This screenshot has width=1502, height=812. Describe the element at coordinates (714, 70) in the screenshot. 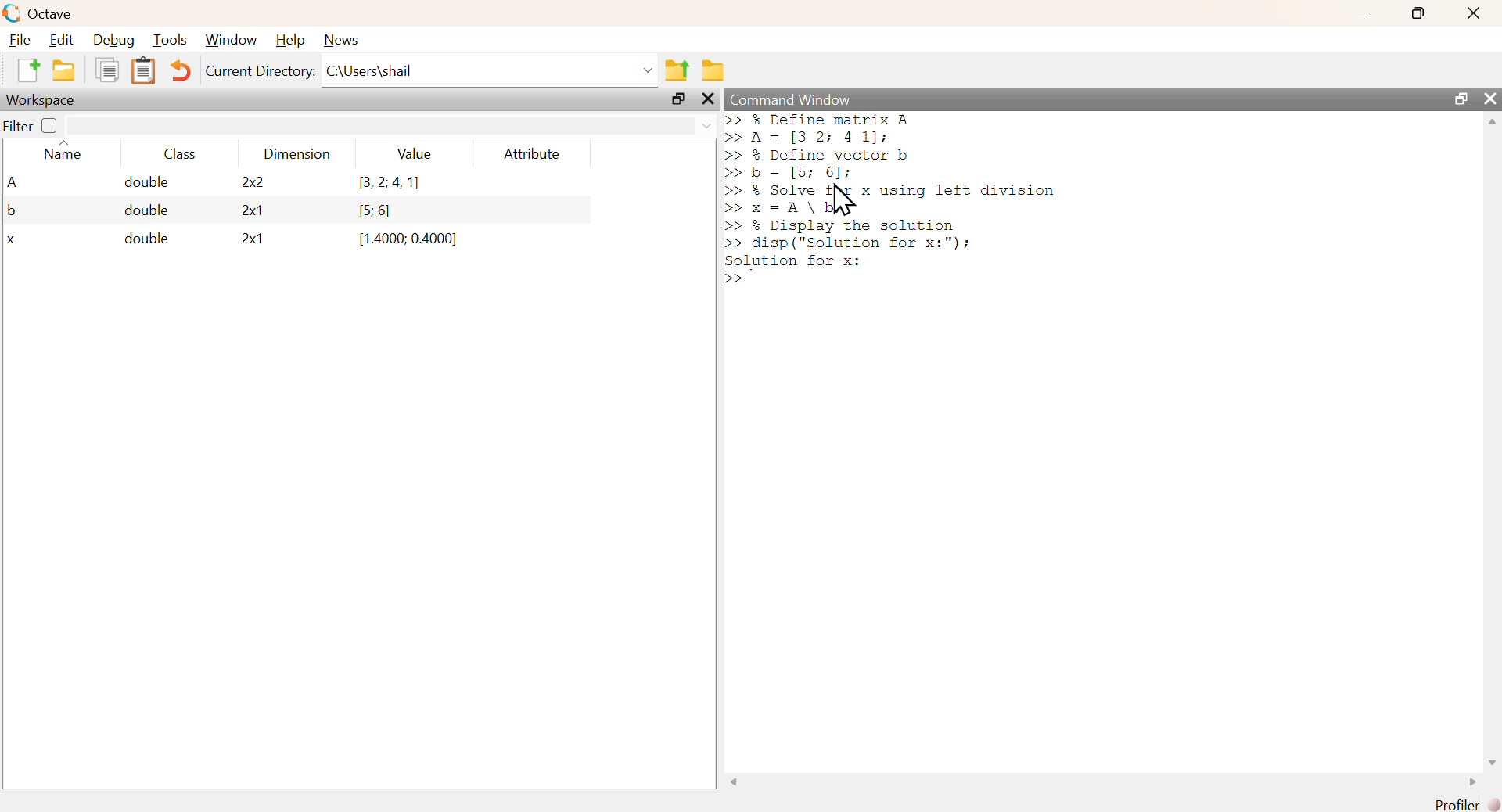

I see `browse directories` at that location.